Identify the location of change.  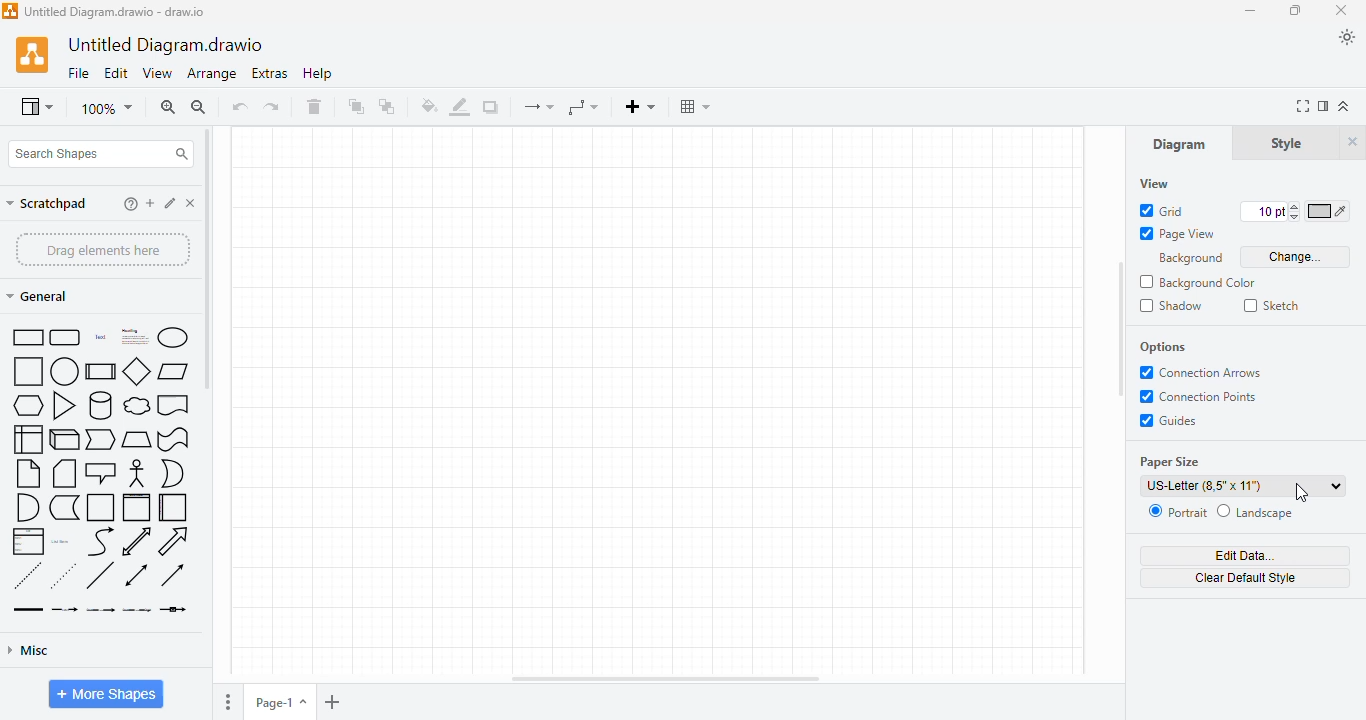
(1296, 257).